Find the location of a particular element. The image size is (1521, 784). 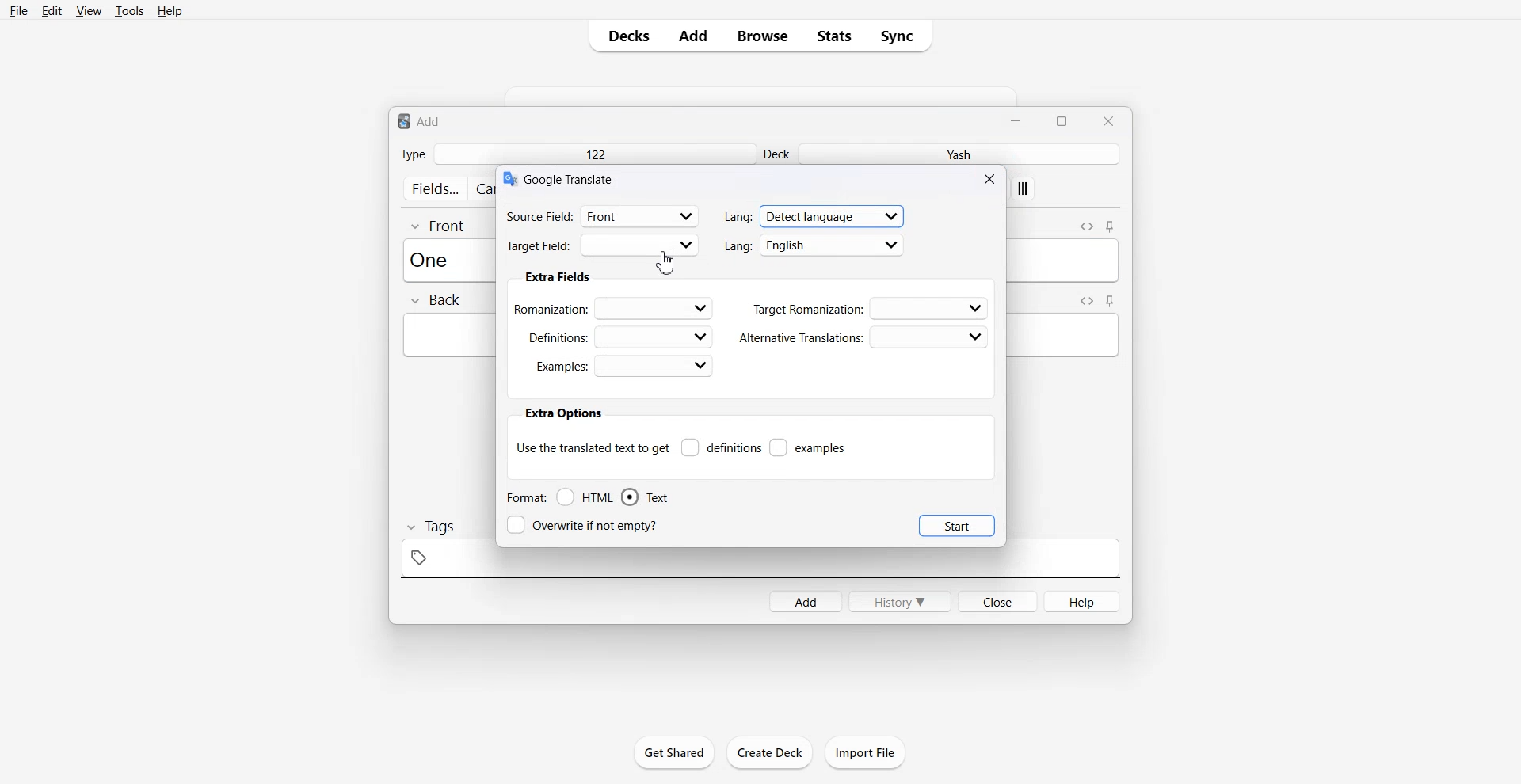

Close is located at coordinates (992, 178).